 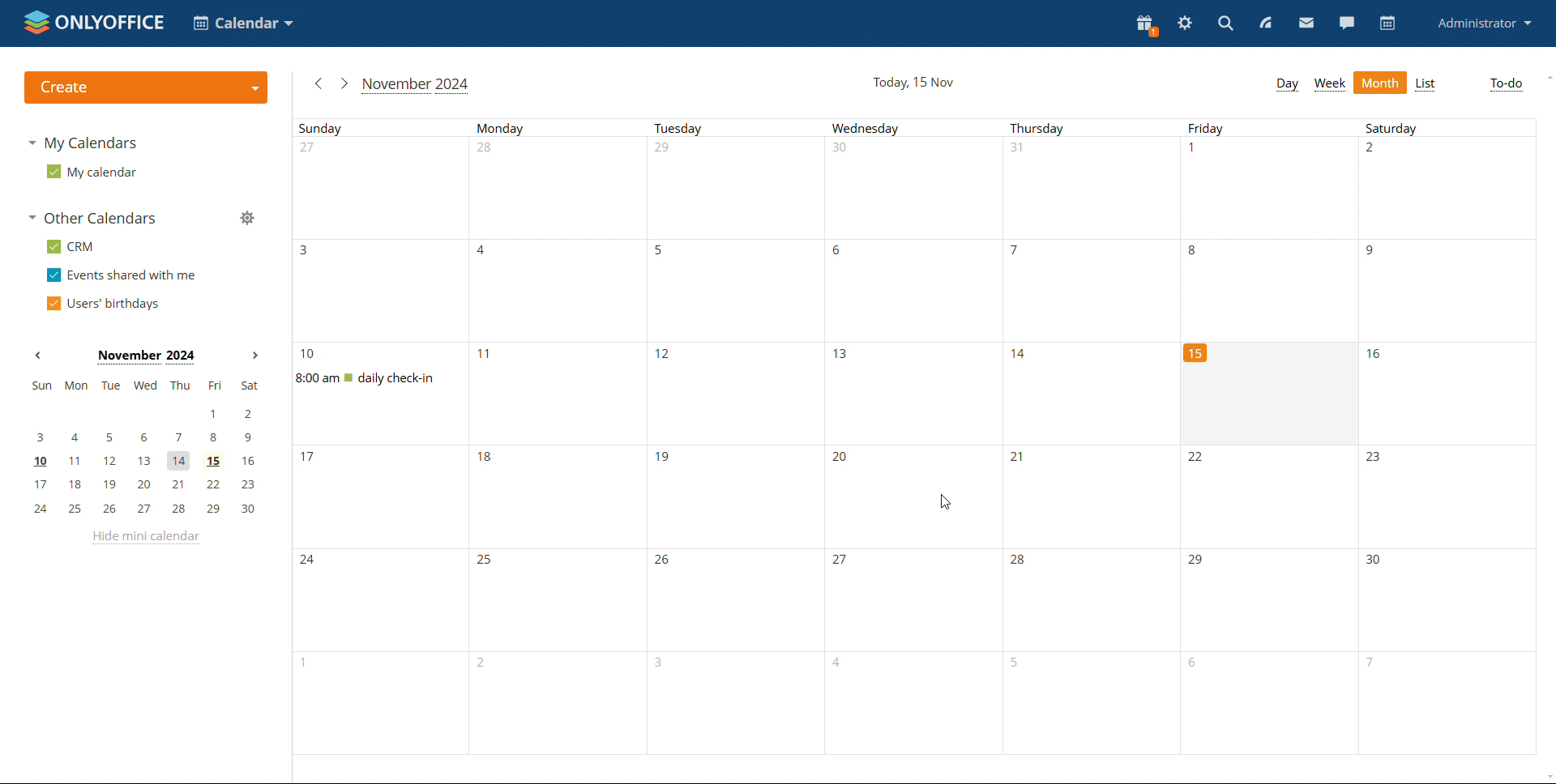 I want to click on search, so click(x=1225, y=23).